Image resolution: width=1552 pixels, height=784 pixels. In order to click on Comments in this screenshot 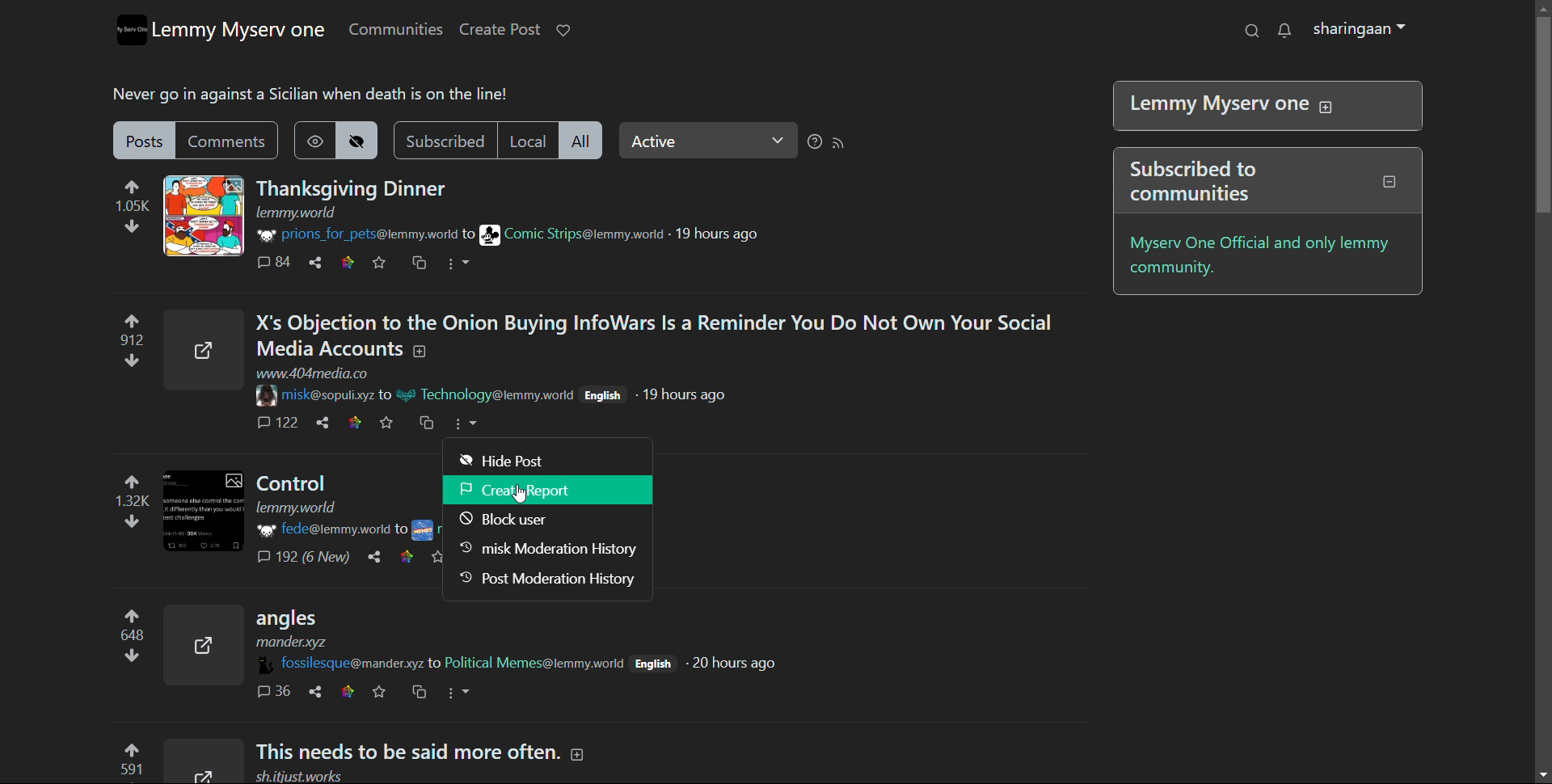, I will do `click(308, 558)`.